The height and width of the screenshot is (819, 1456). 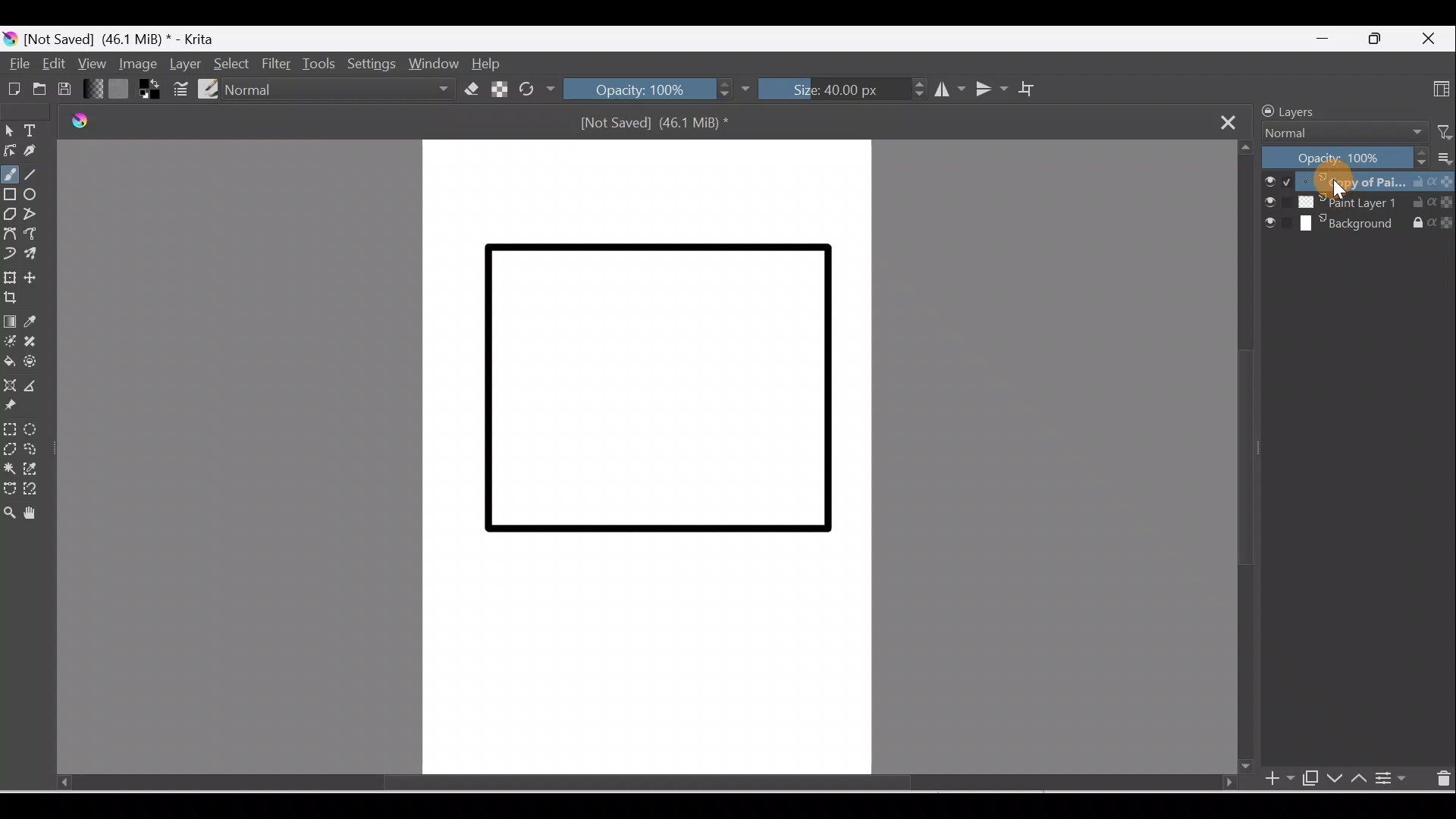 I want to click on More, so click(x=1442, y=161).